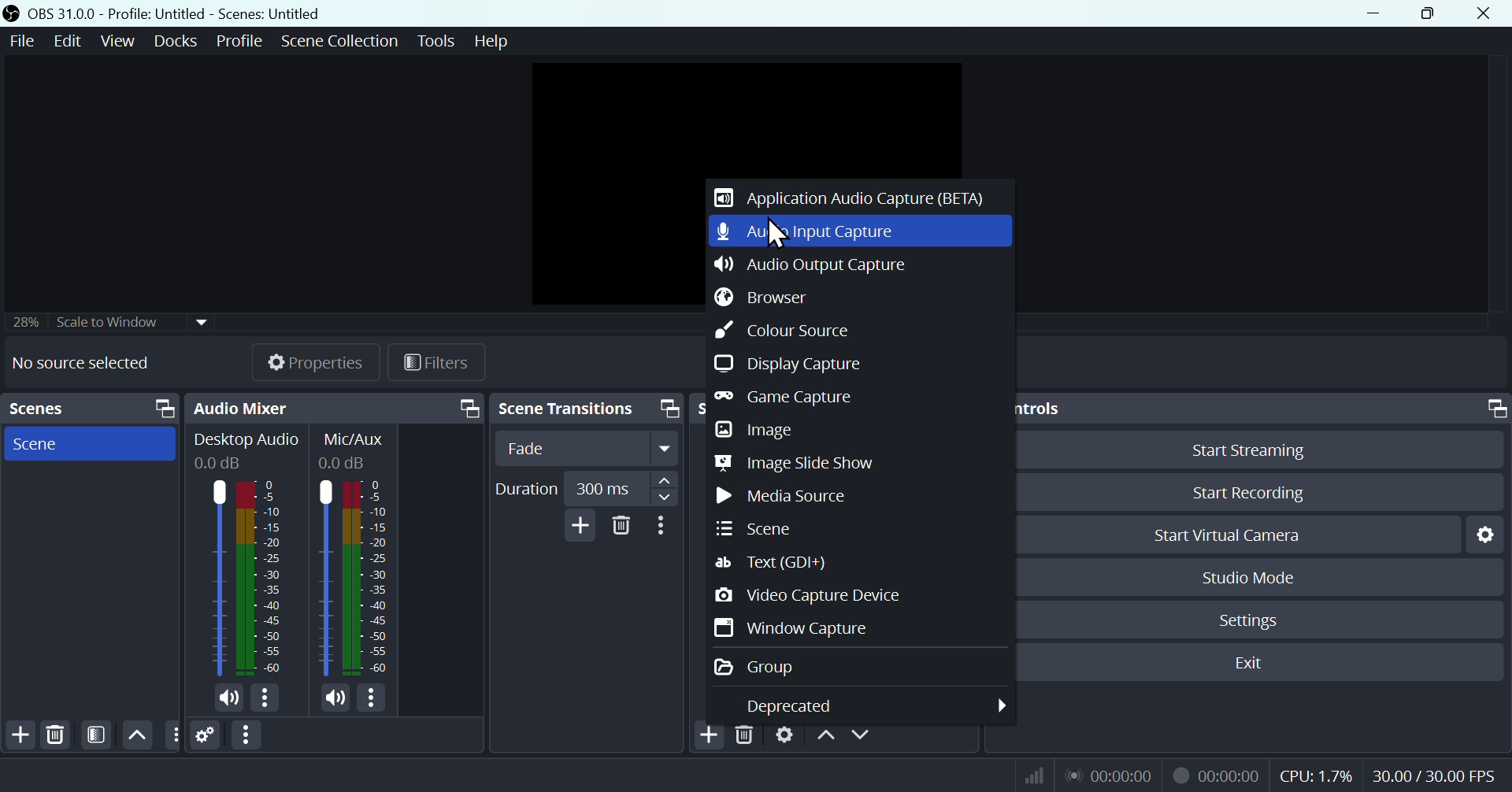  What do you see at coordinates (872, 708) in the screenshot?
I see `Deprecated` at bounding box center [872, 708].